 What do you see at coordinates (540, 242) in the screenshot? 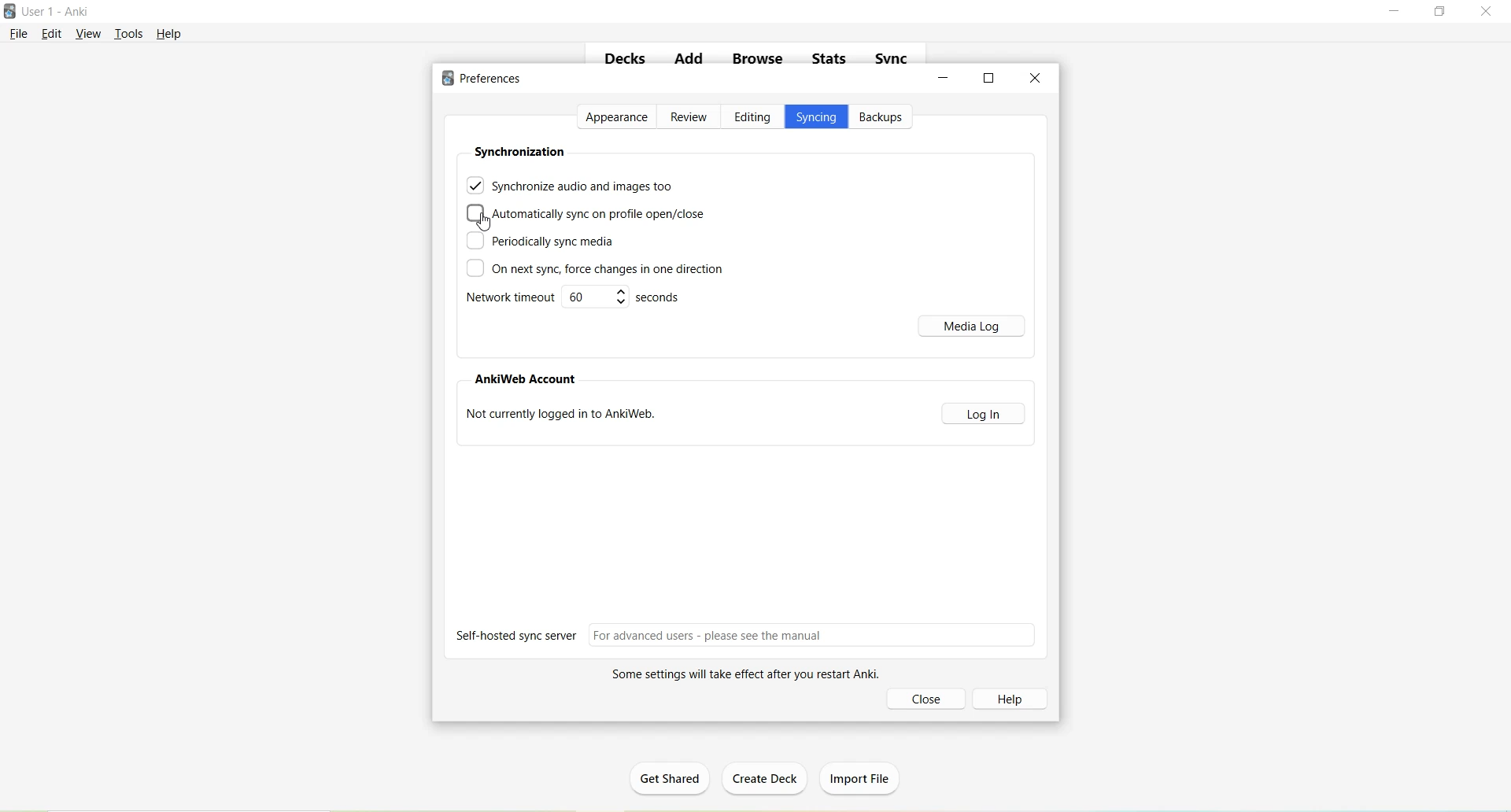
I see `Periodically sync media` at bounding box center [540, 242].